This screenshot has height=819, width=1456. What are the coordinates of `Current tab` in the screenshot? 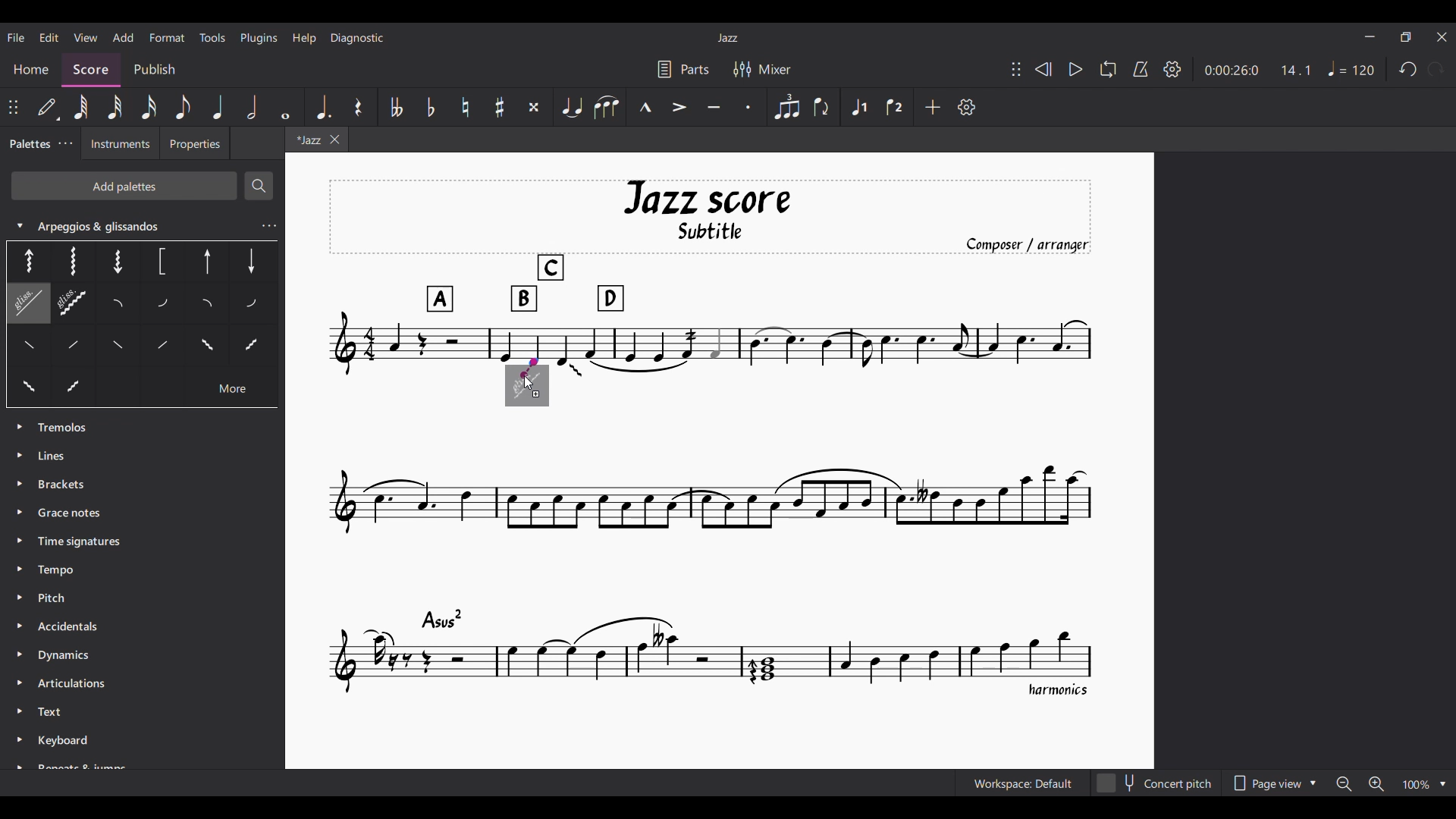 It's located at (302, 141).